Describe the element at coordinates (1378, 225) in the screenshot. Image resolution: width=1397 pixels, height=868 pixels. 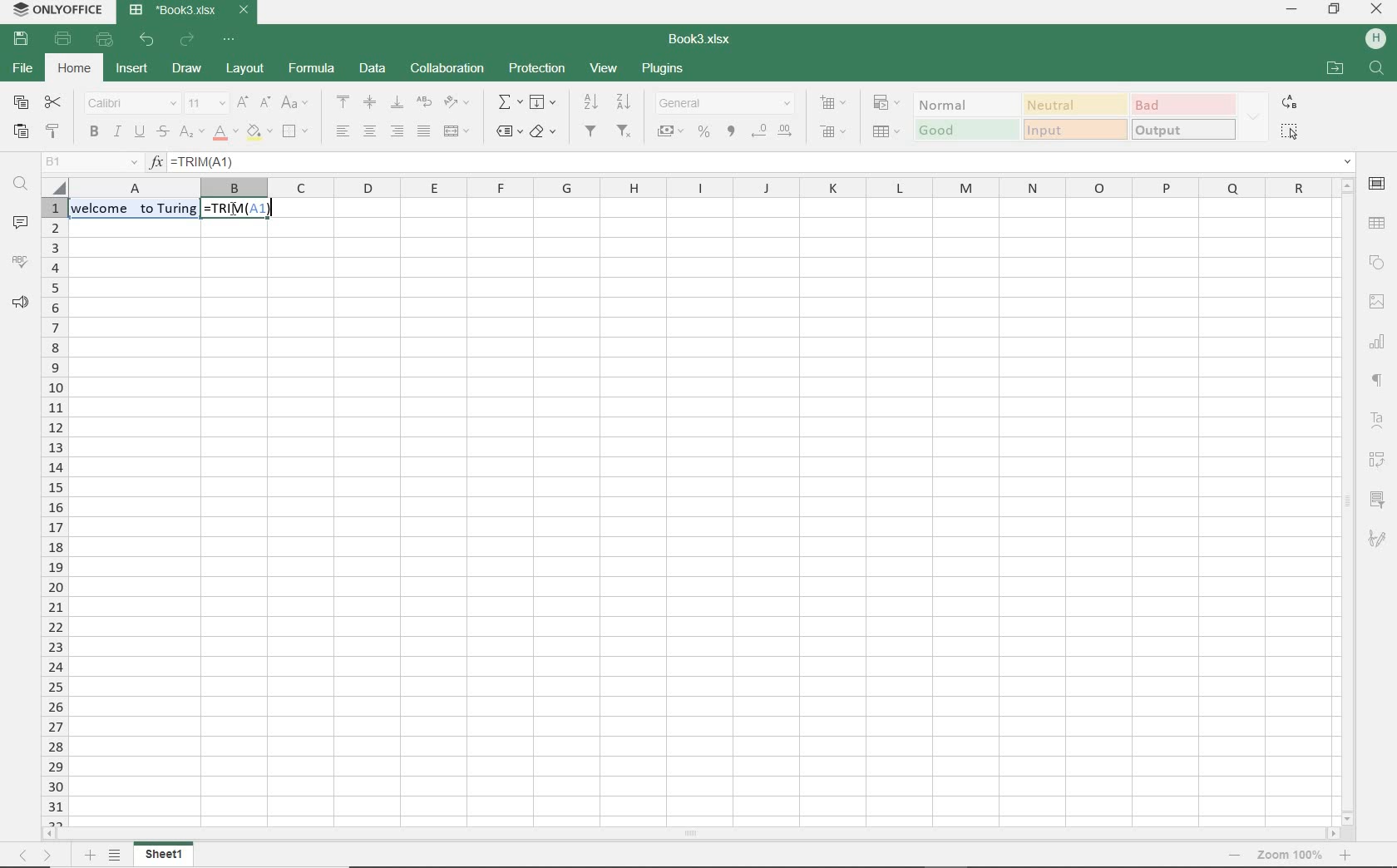
I see `table` at that location.